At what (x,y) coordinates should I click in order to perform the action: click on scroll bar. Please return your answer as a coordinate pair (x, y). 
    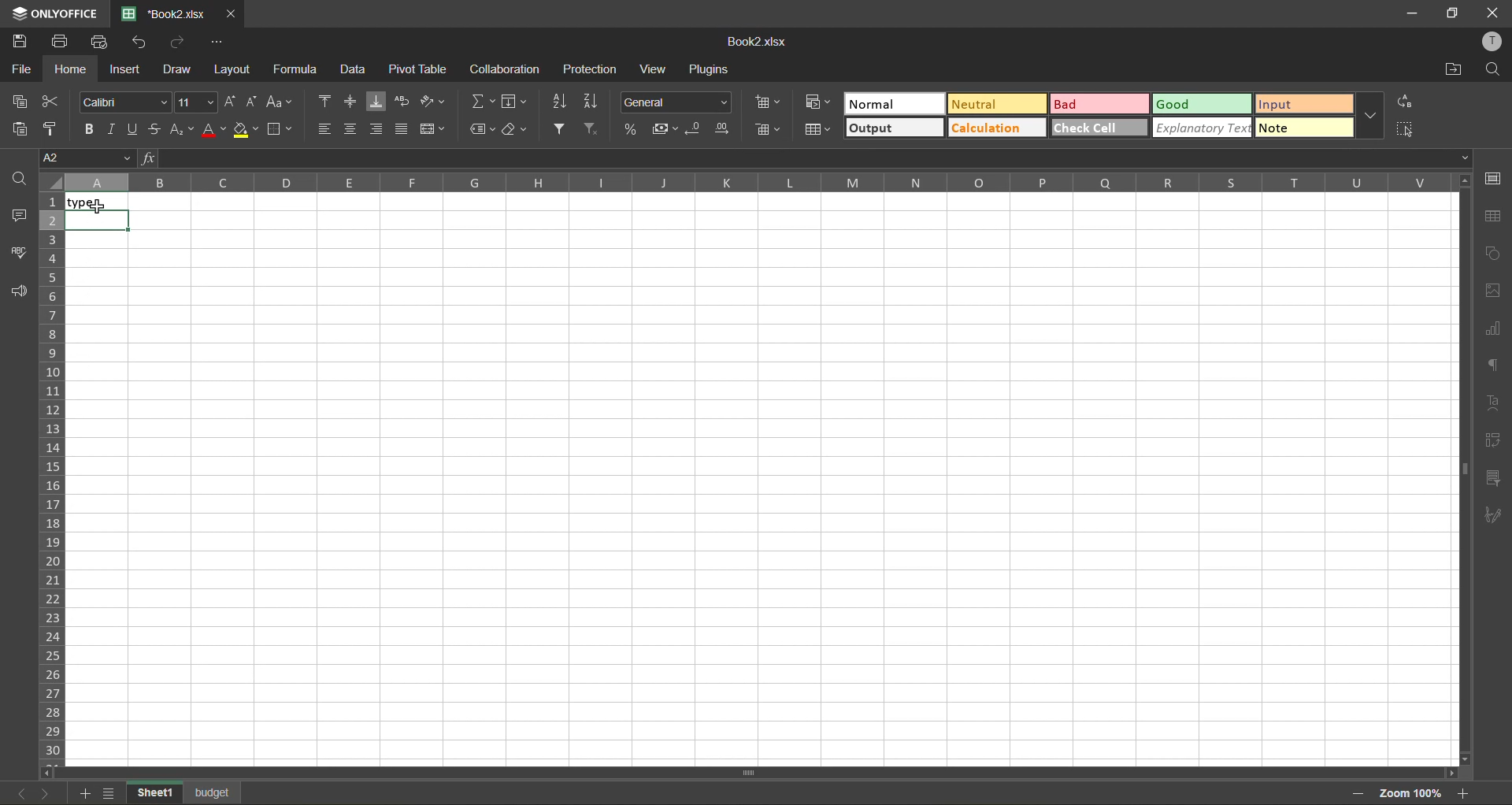
    Looking at the image, I should click on (1462, 416).